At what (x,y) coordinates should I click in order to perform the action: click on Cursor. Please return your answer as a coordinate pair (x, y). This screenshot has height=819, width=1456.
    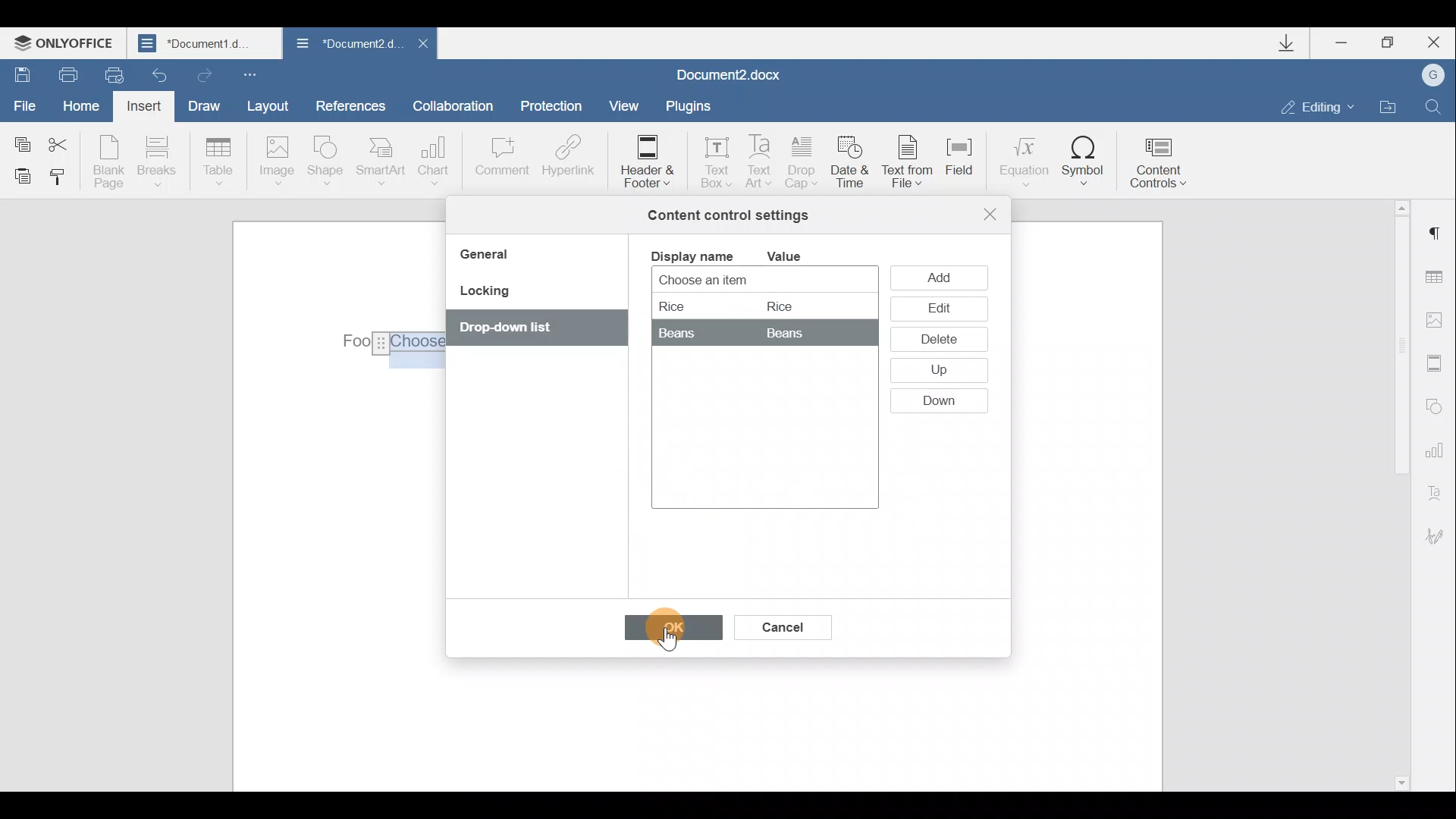
    Looking at the image, I should click on (669, 629).